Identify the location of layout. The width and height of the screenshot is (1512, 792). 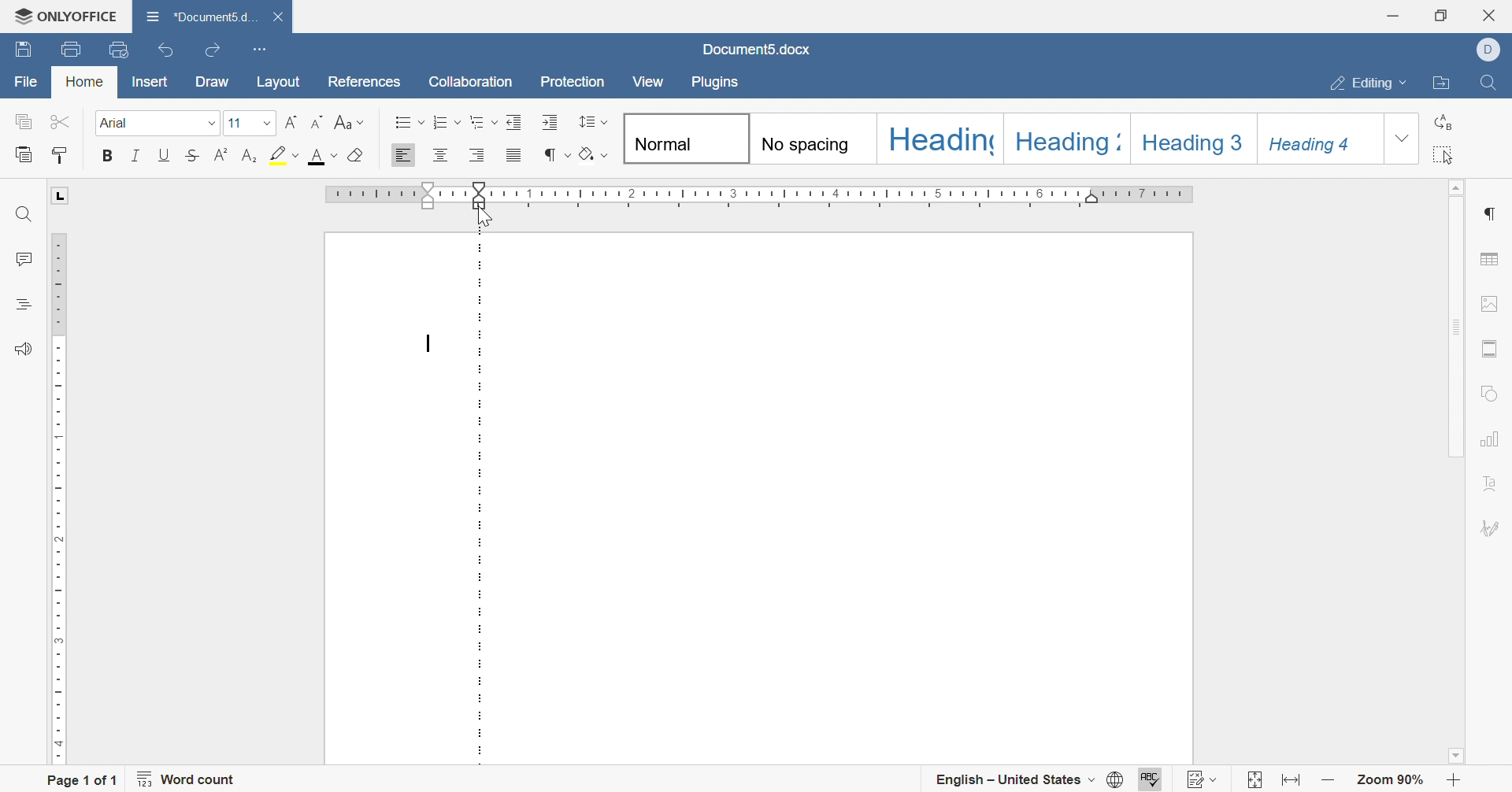
(281, 81).